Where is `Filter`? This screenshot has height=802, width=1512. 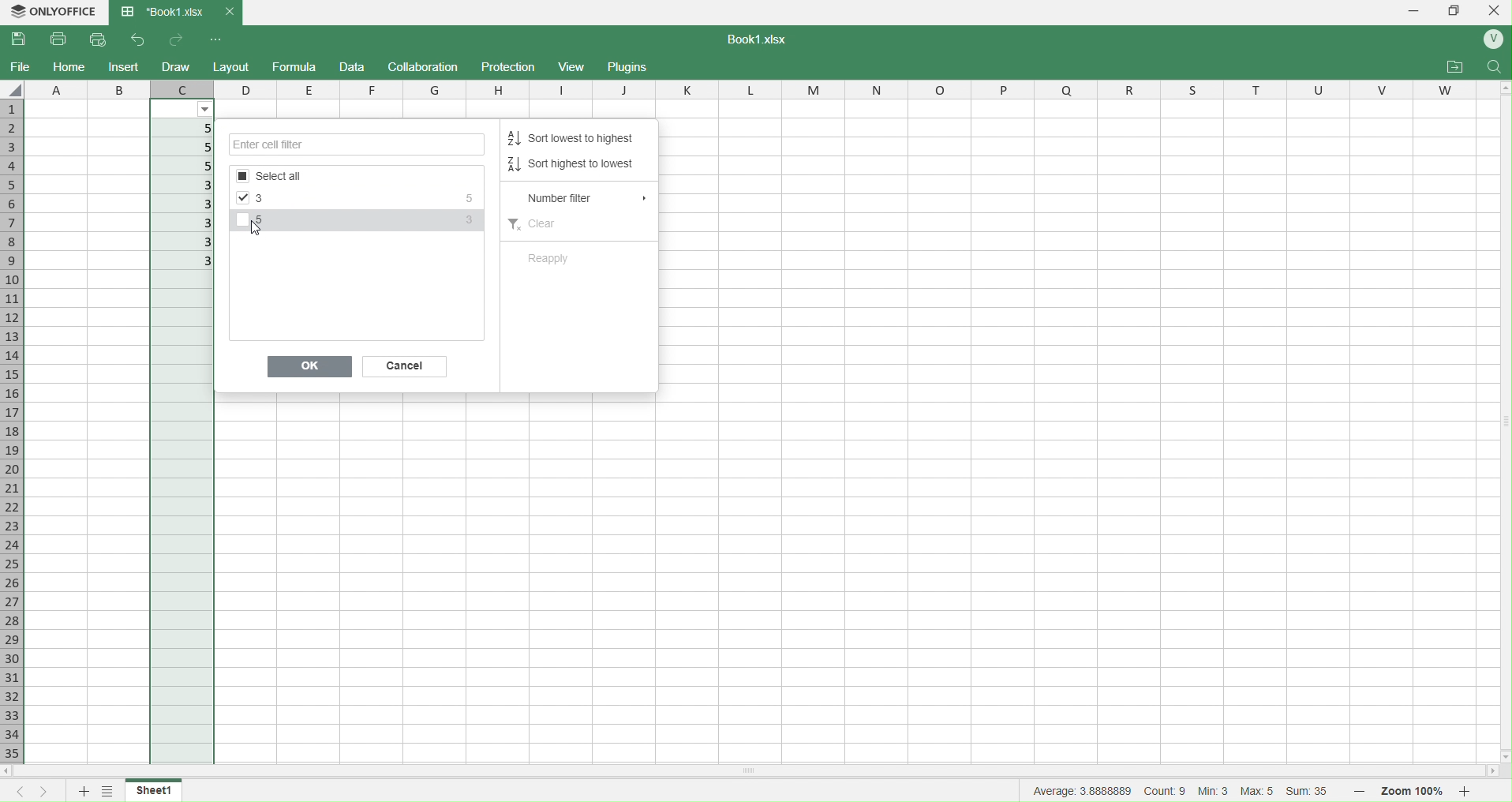 Filter is located at coordinates (206, 109).